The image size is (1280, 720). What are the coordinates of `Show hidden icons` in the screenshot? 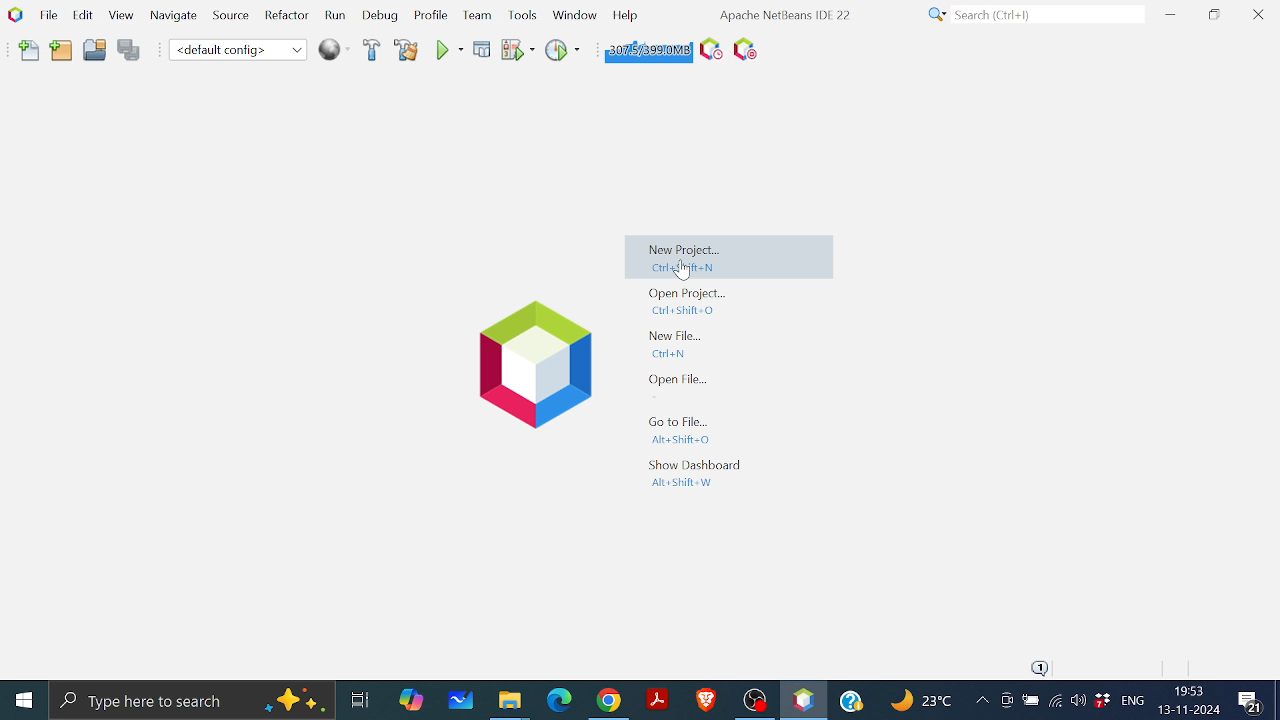 It's located at (982, 703).